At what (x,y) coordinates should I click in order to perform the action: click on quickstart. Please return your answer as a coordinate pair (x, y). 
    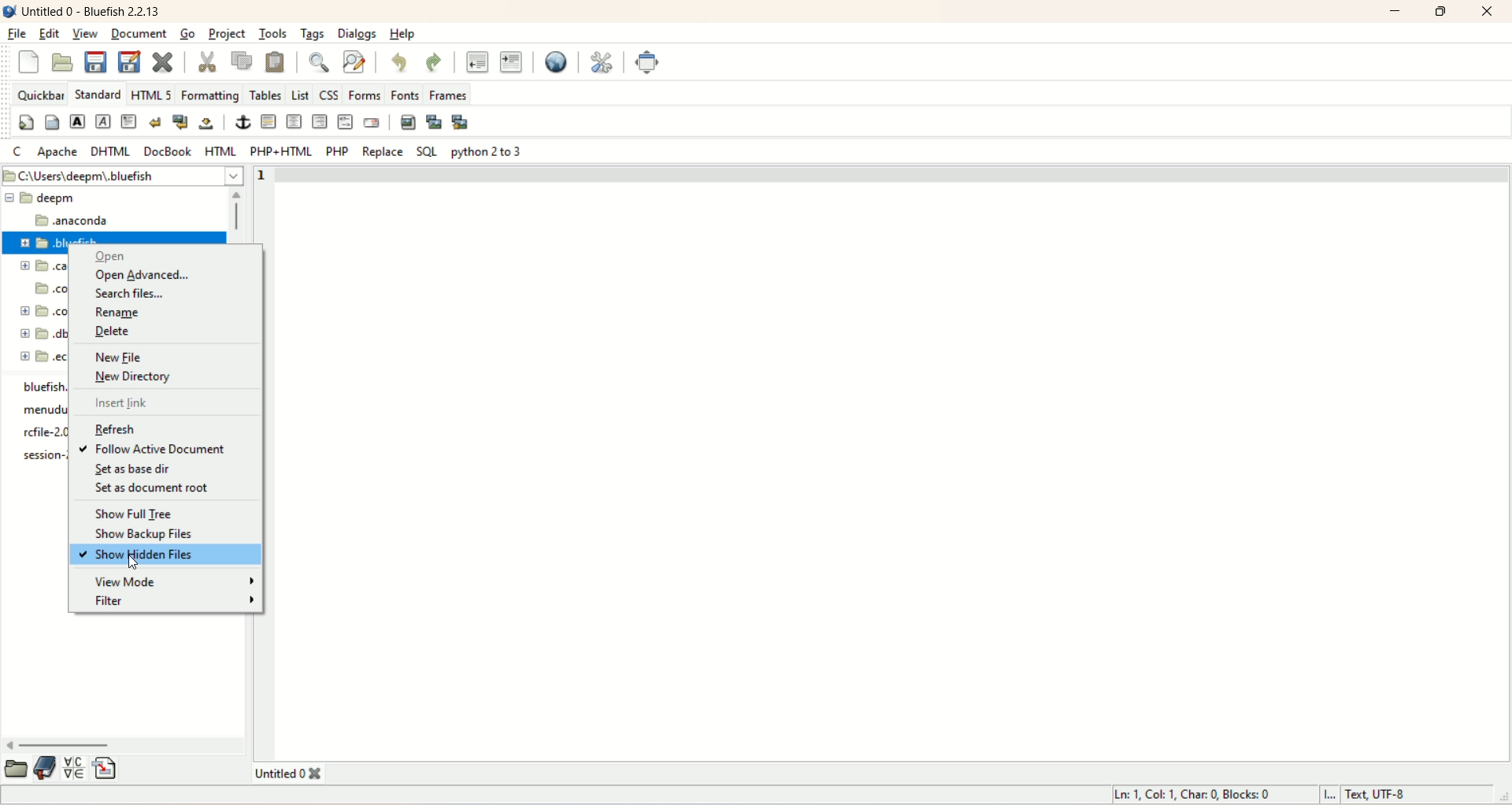
    Looking at the image, I should click on (25, 121).